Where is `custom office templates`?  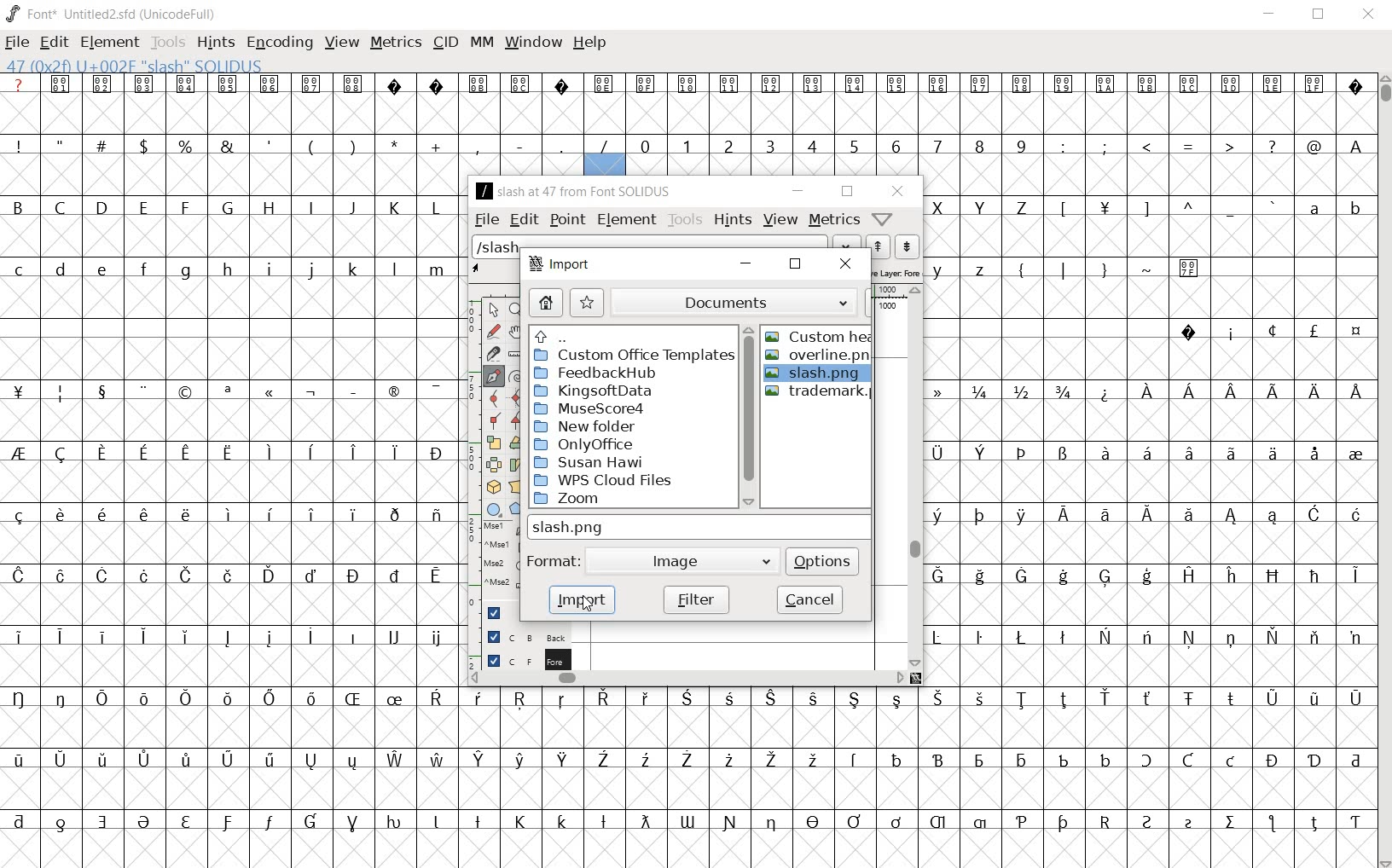 custom office templates is located at coordinates (633, 356).